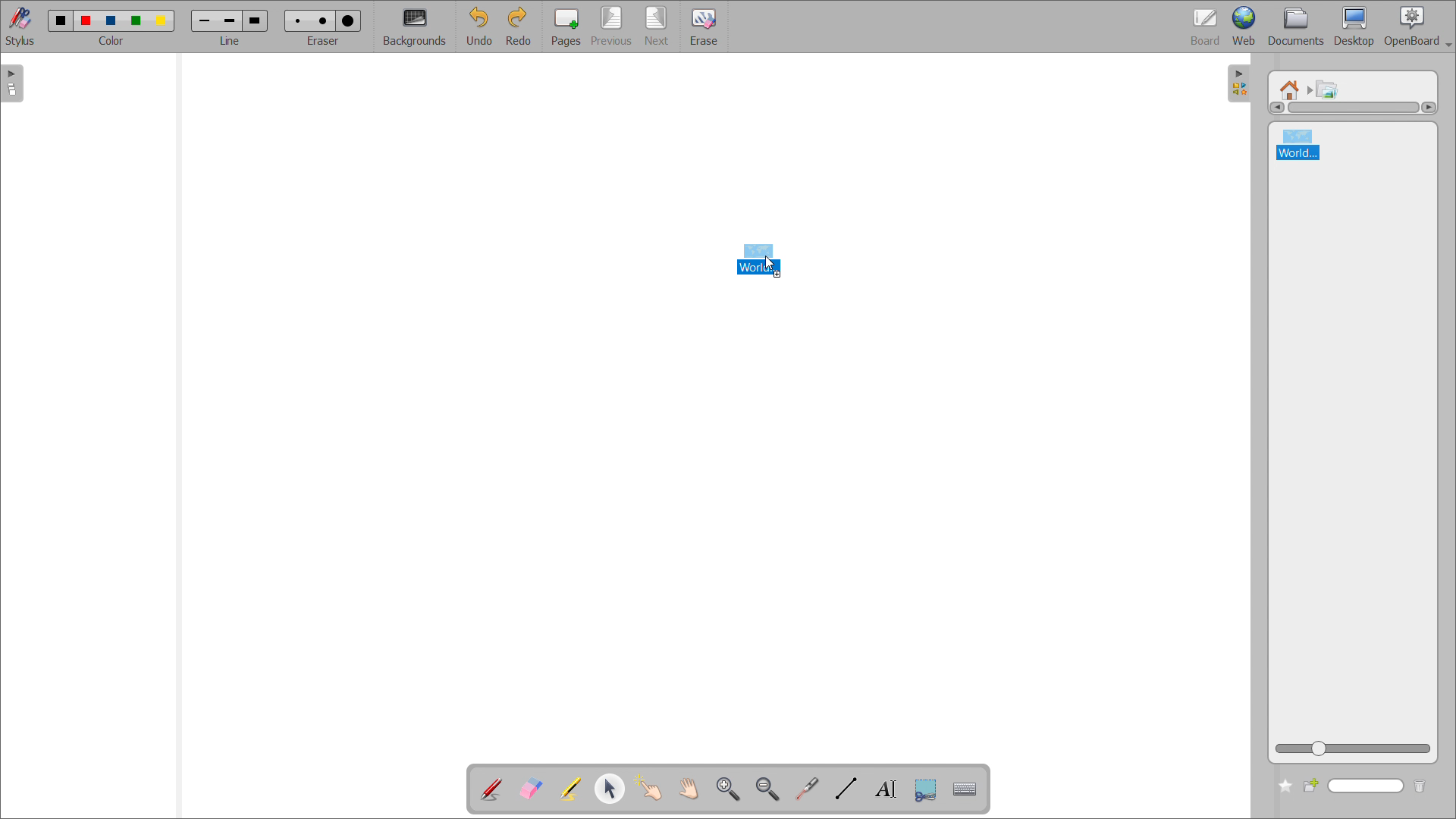 The height and width of the screenshot is (819, 1456). Describe the element at coordinates (759, 262) in the screenshot. I see `image file being dragged to boardspace` at that location.